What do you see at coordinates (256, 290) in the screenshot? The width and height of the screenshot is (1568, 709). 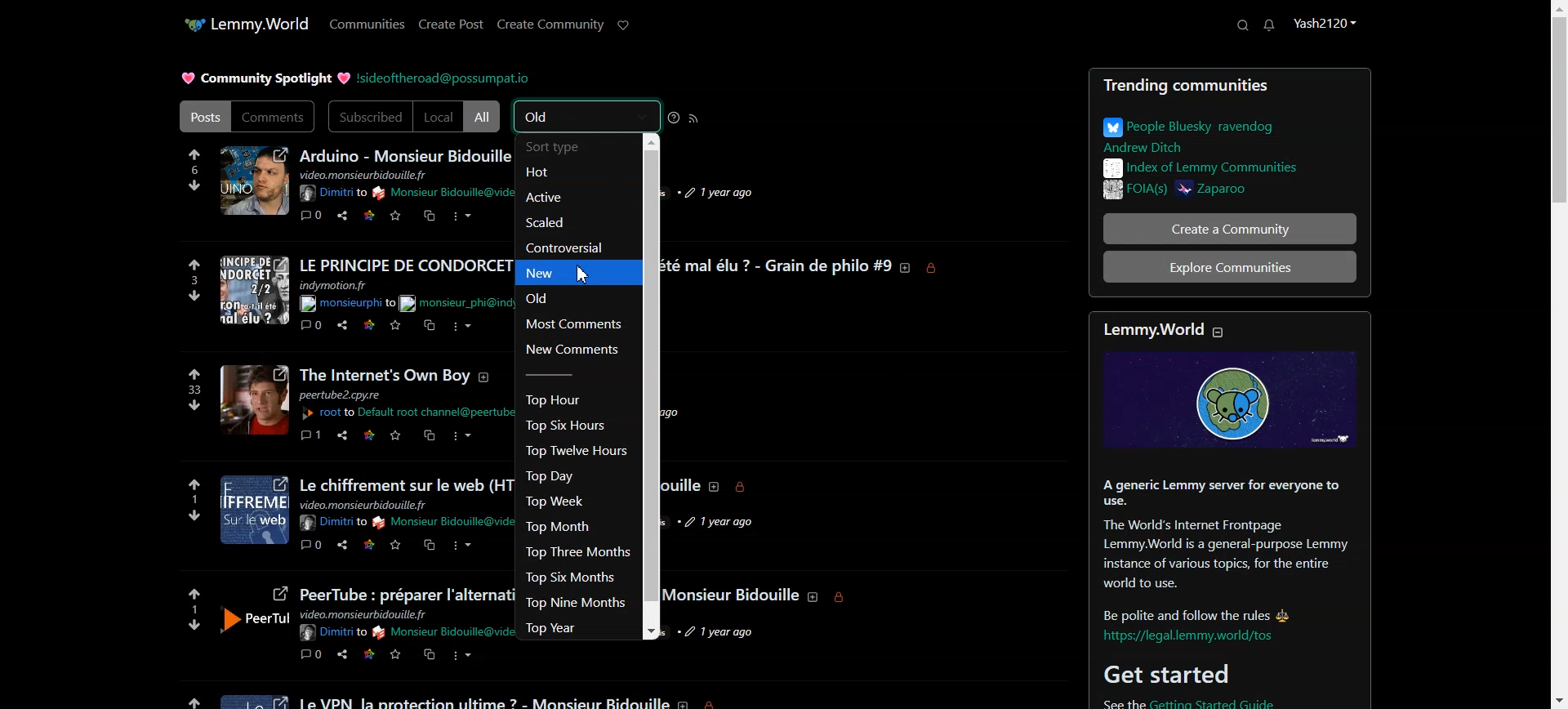 I see `DORET,
hg
ng ise 3` at bounding box center [256, 290].